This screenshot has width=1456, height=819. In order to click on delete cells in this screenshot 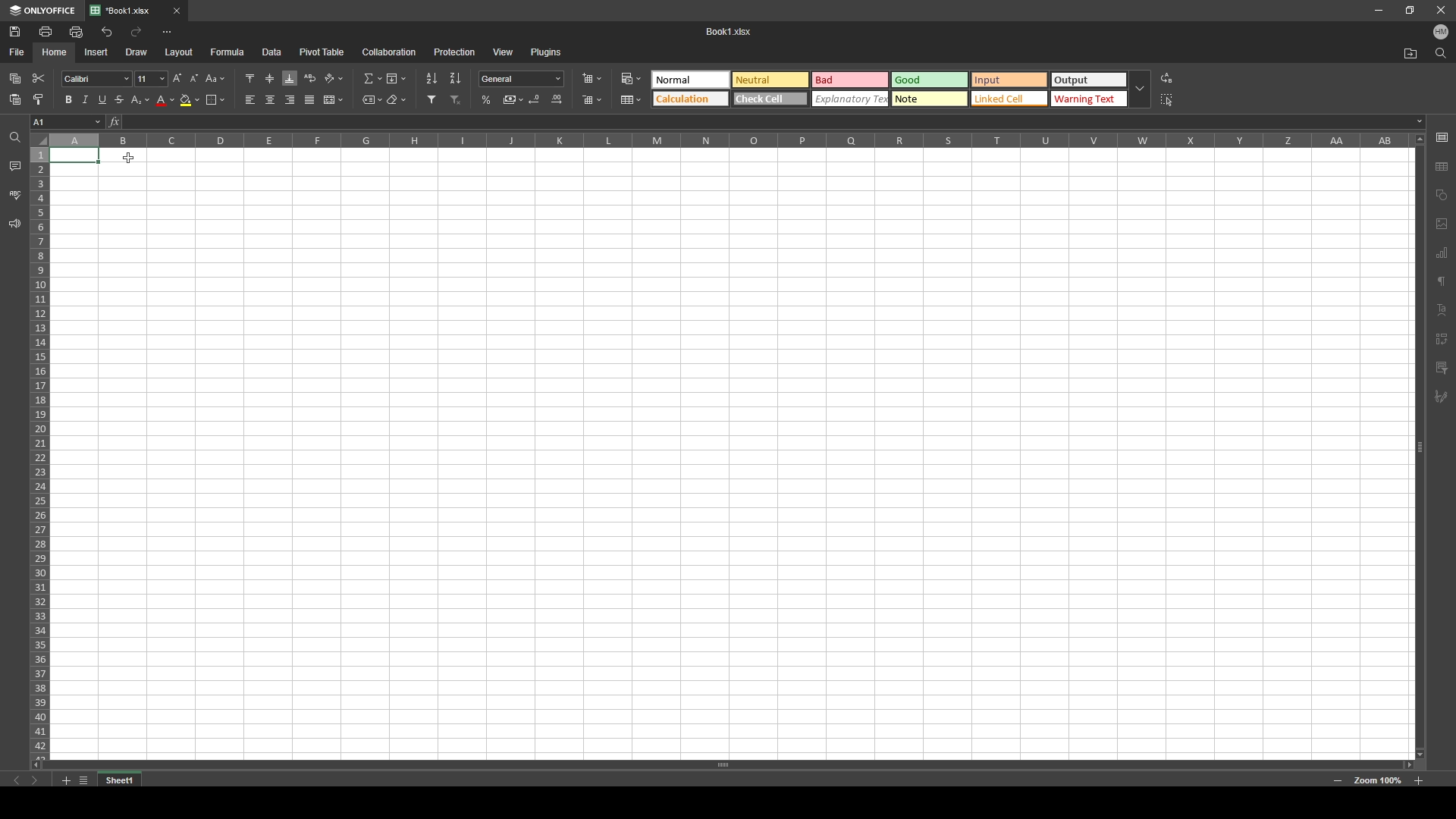, I will do `click(592, 99)`.